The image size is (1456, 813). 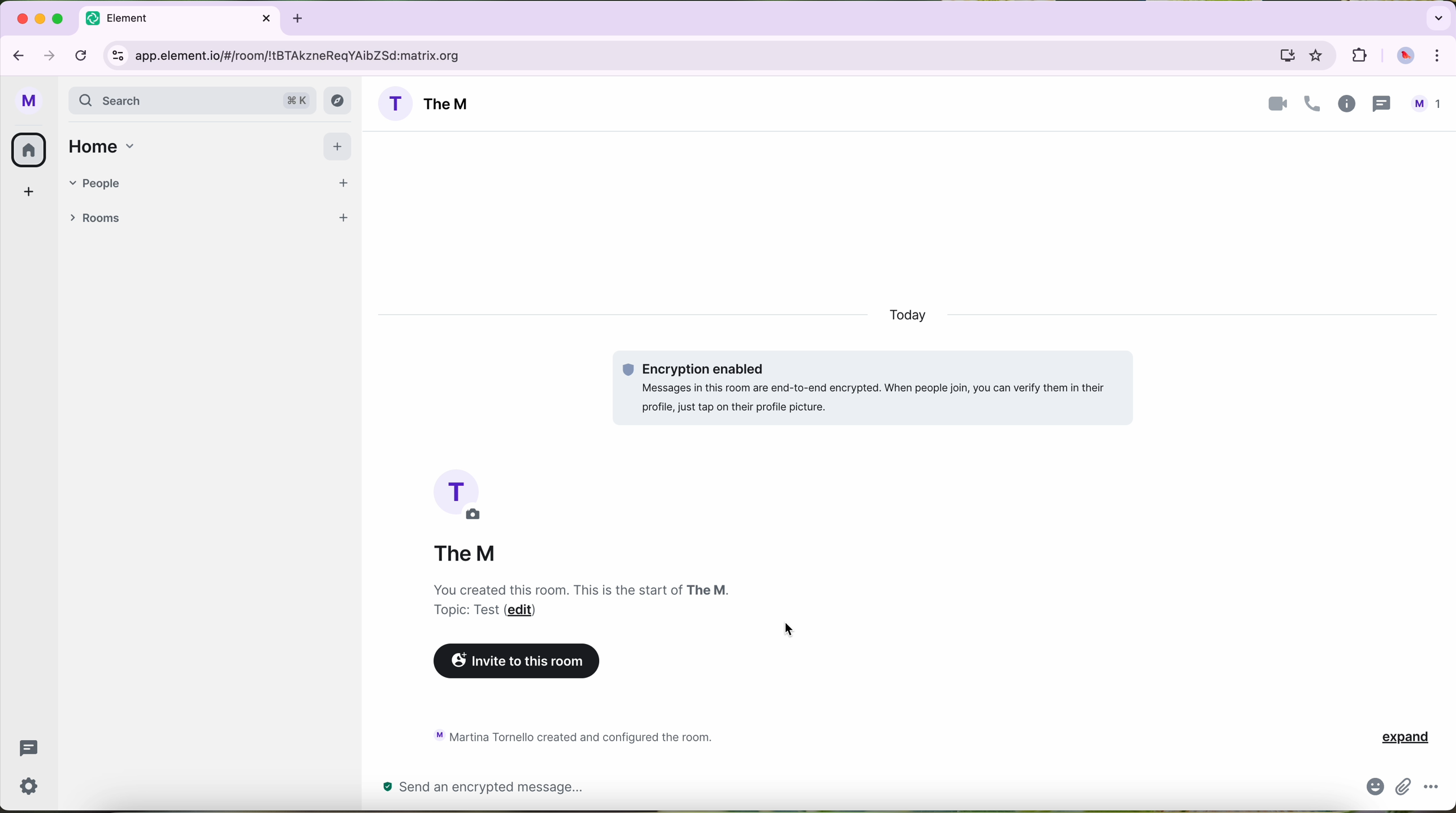 I want to click on encryption enabled, so click(x=876, y=387).